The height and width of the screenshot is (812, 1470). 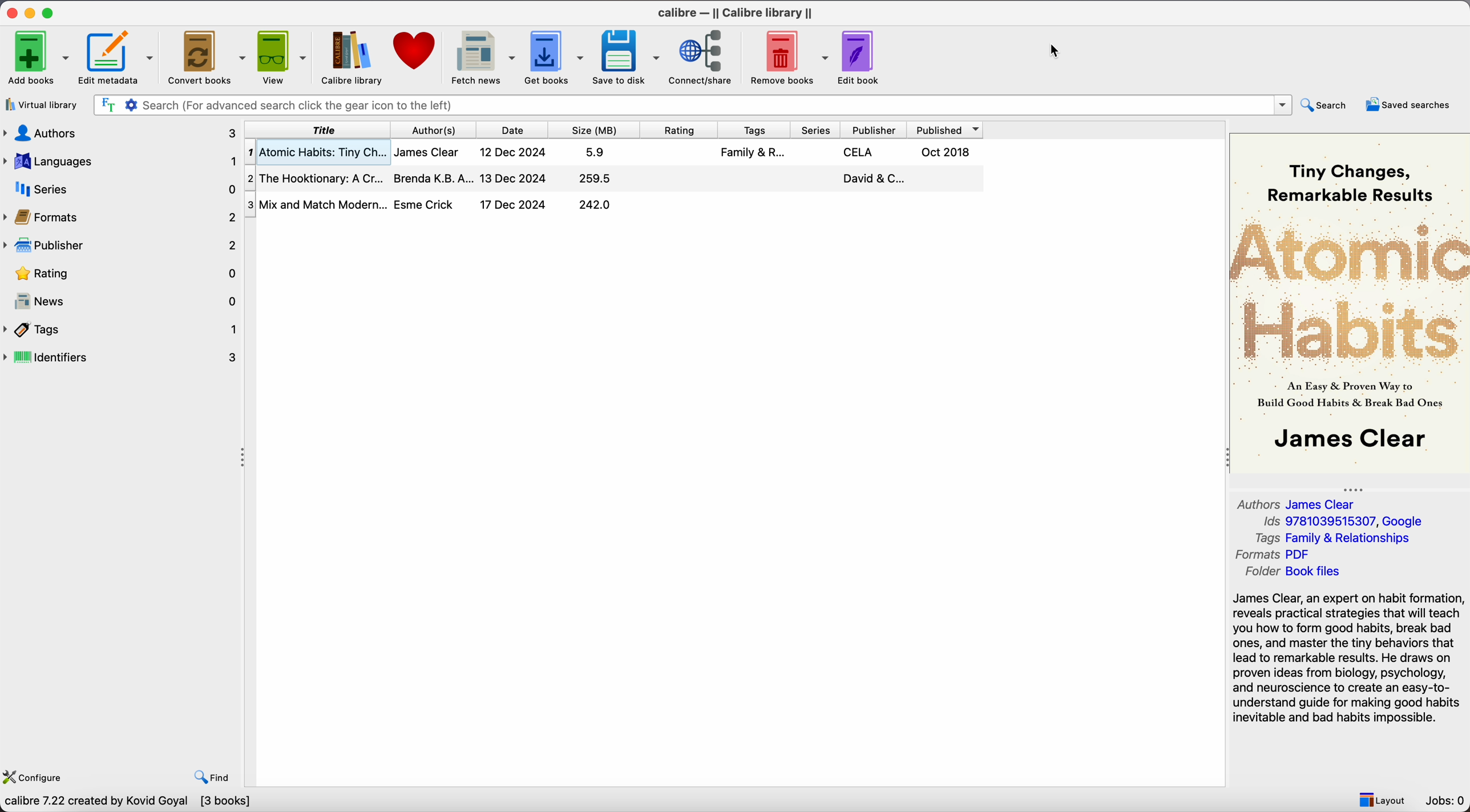 I want to click on languages, so click(x=122, y=161).